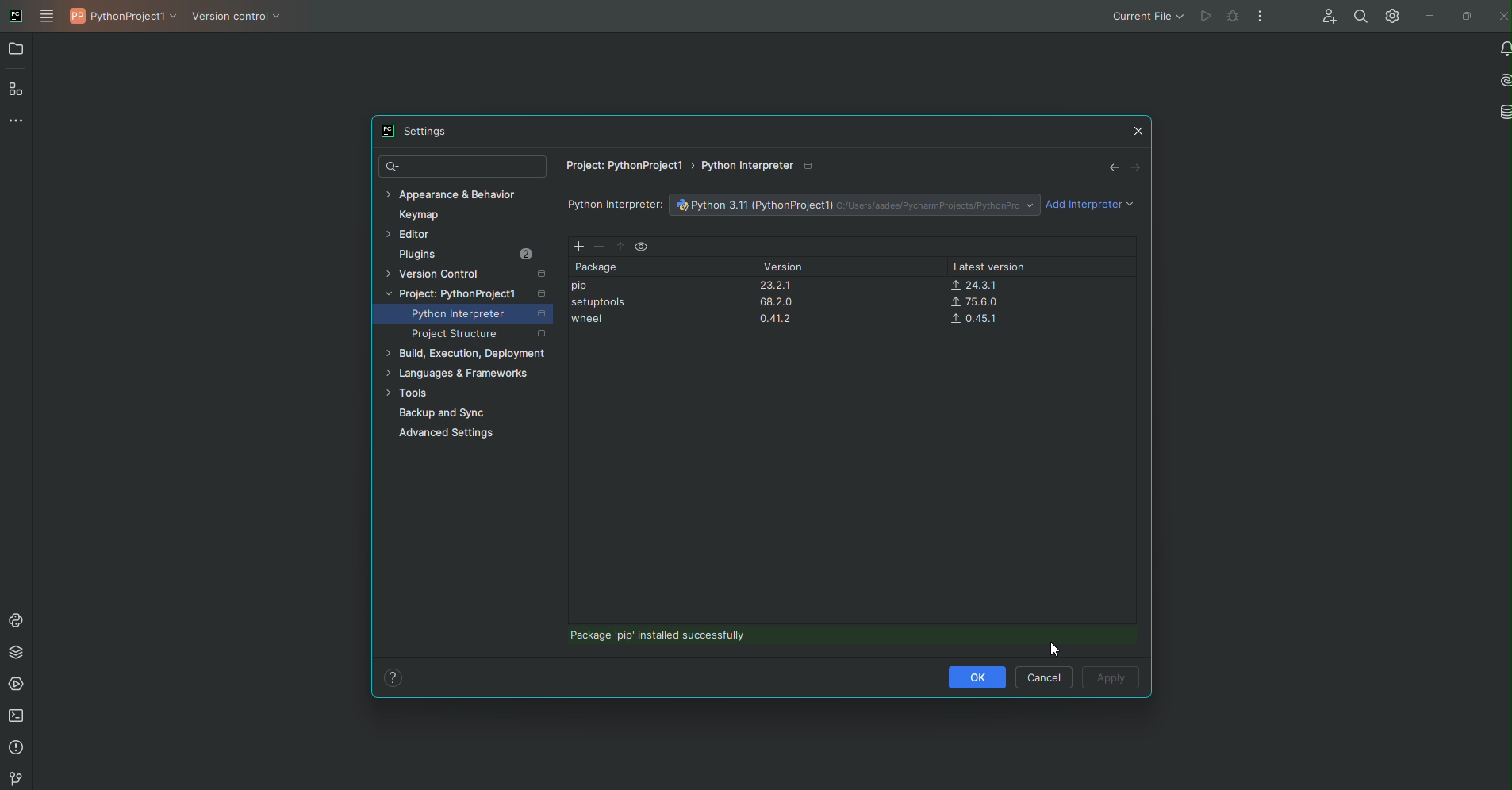  I want to click on AI, so click(1502, 80).